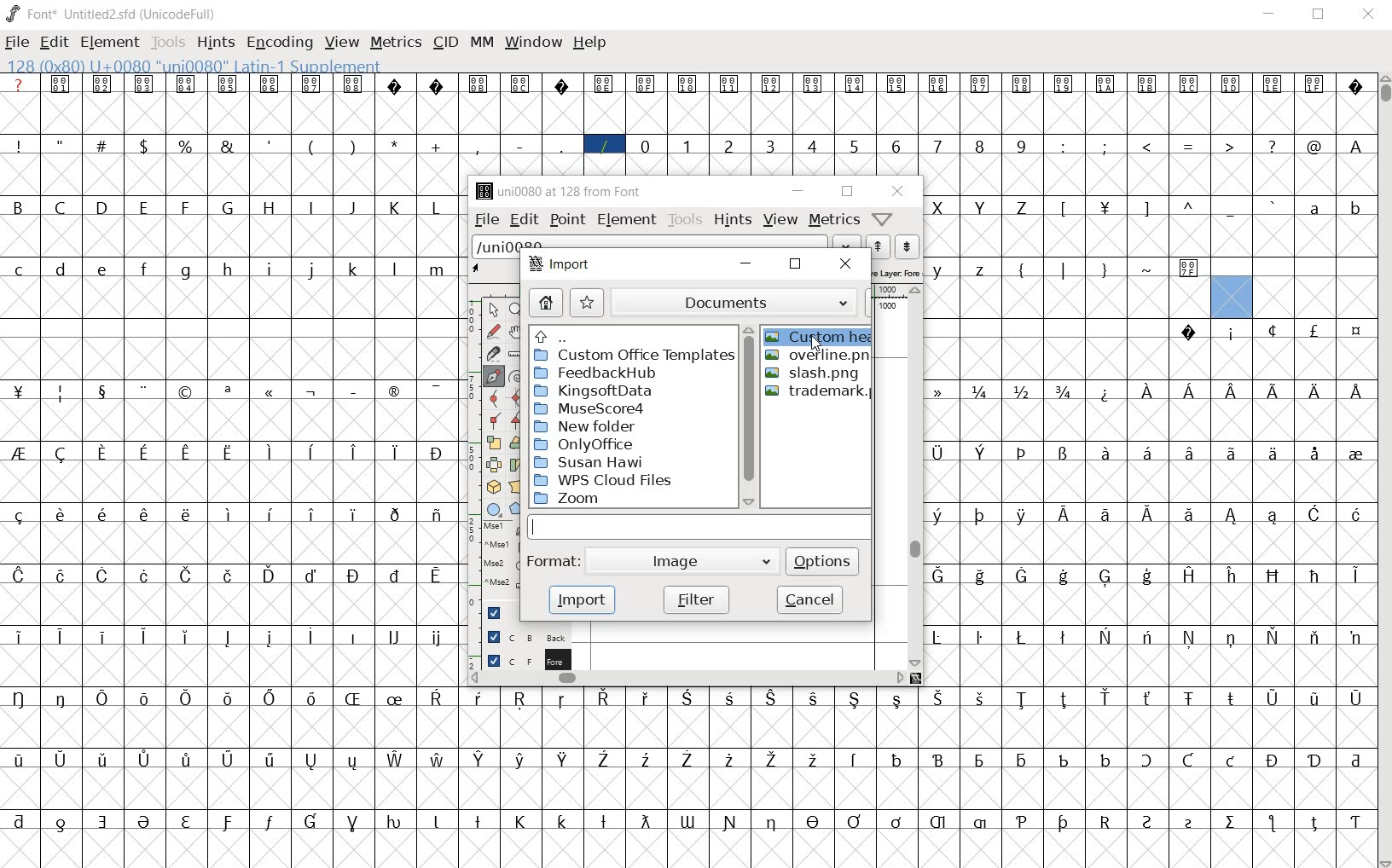 Image resolution: width=1392 pixels, height=868 pixels. Describe the element at coordinates (143, 514) in the screenshot. I see `glyph` at that location.